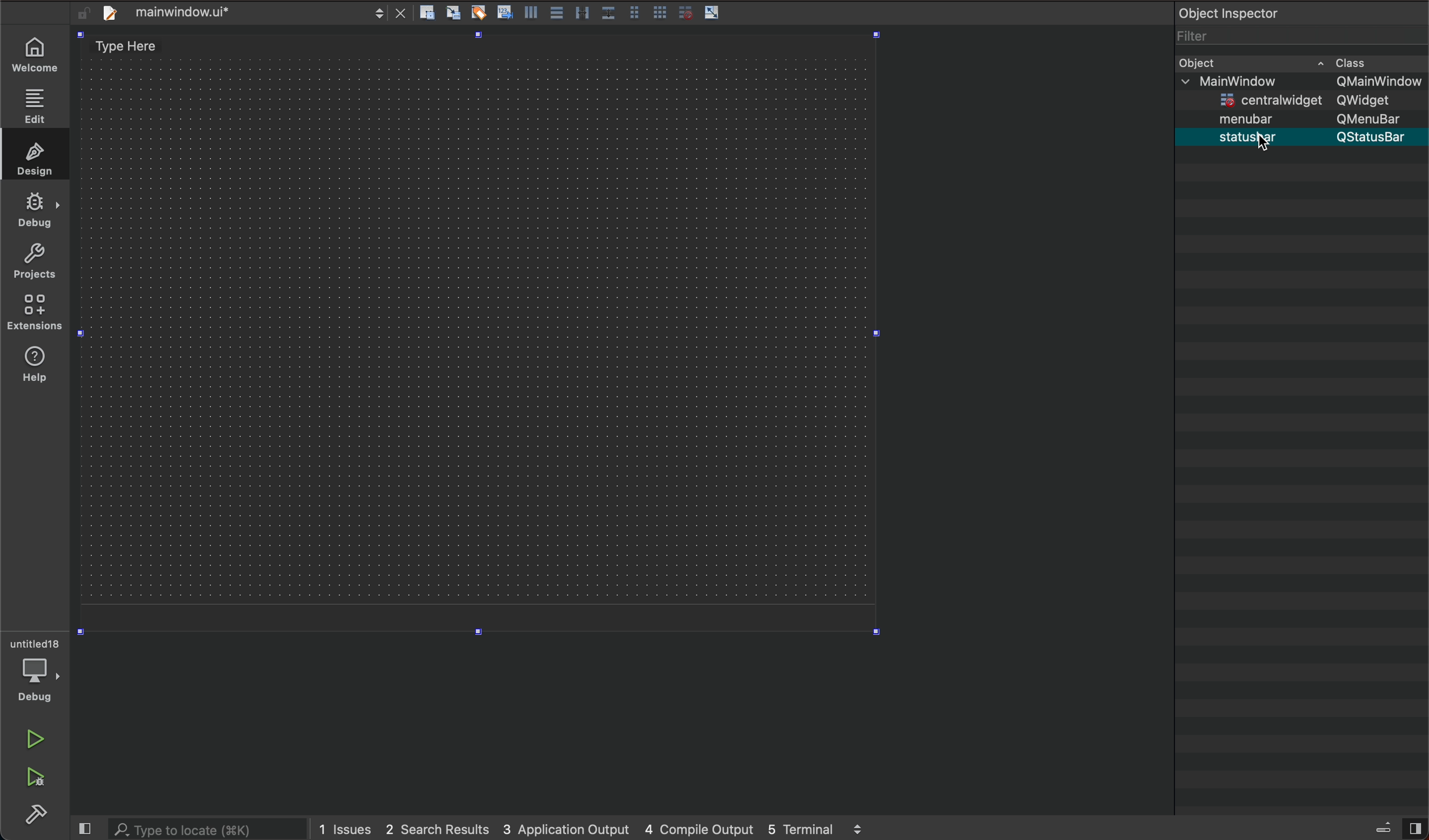  Describe the element at coordinates (32, 108) in the screenshot. I see `edit` at that location.